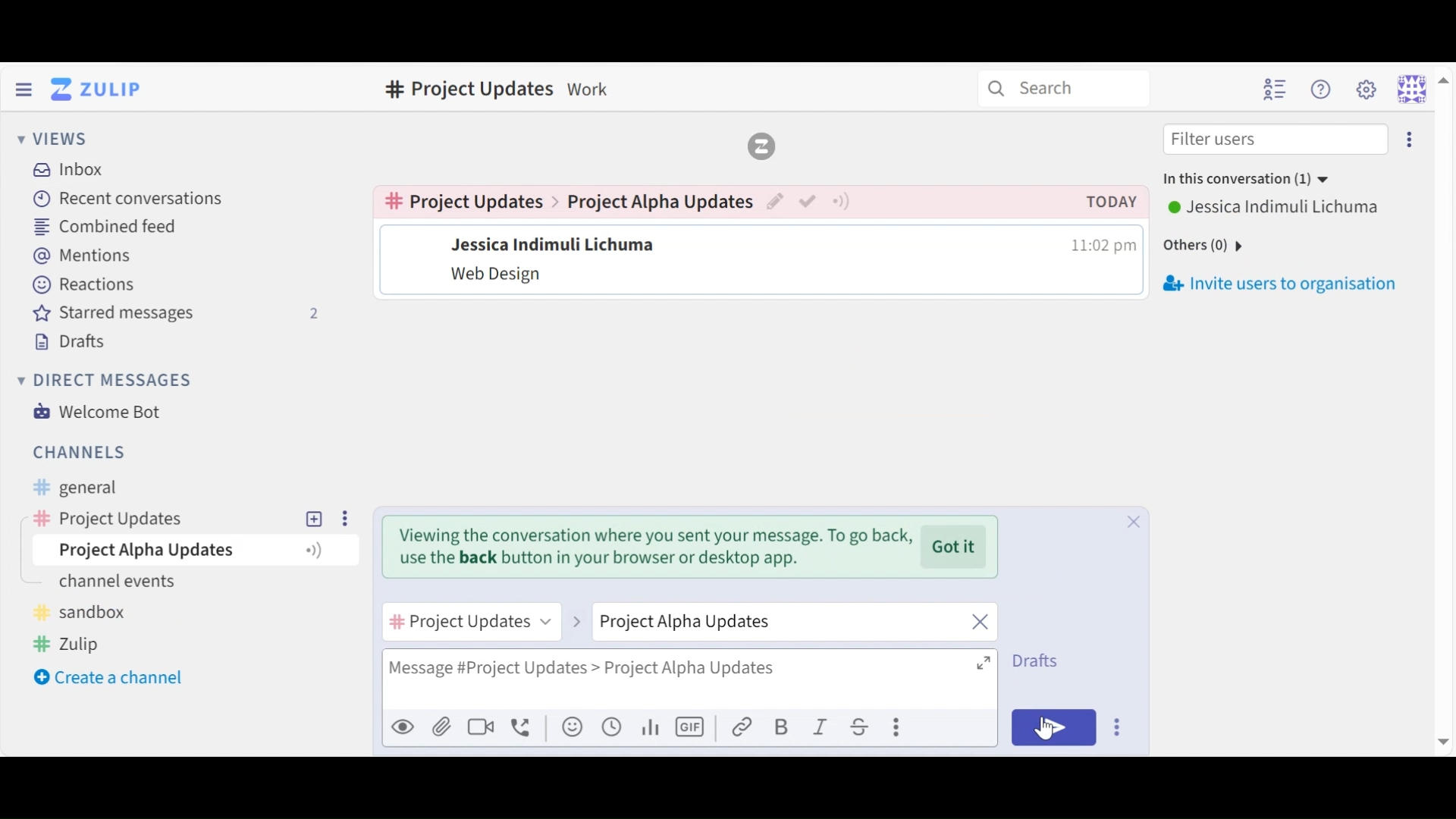 The height and width of the screenshot is (819, 1456). Describe the element at coordinates (425, 89) in the screenshot. I see `Inbox` at that location.